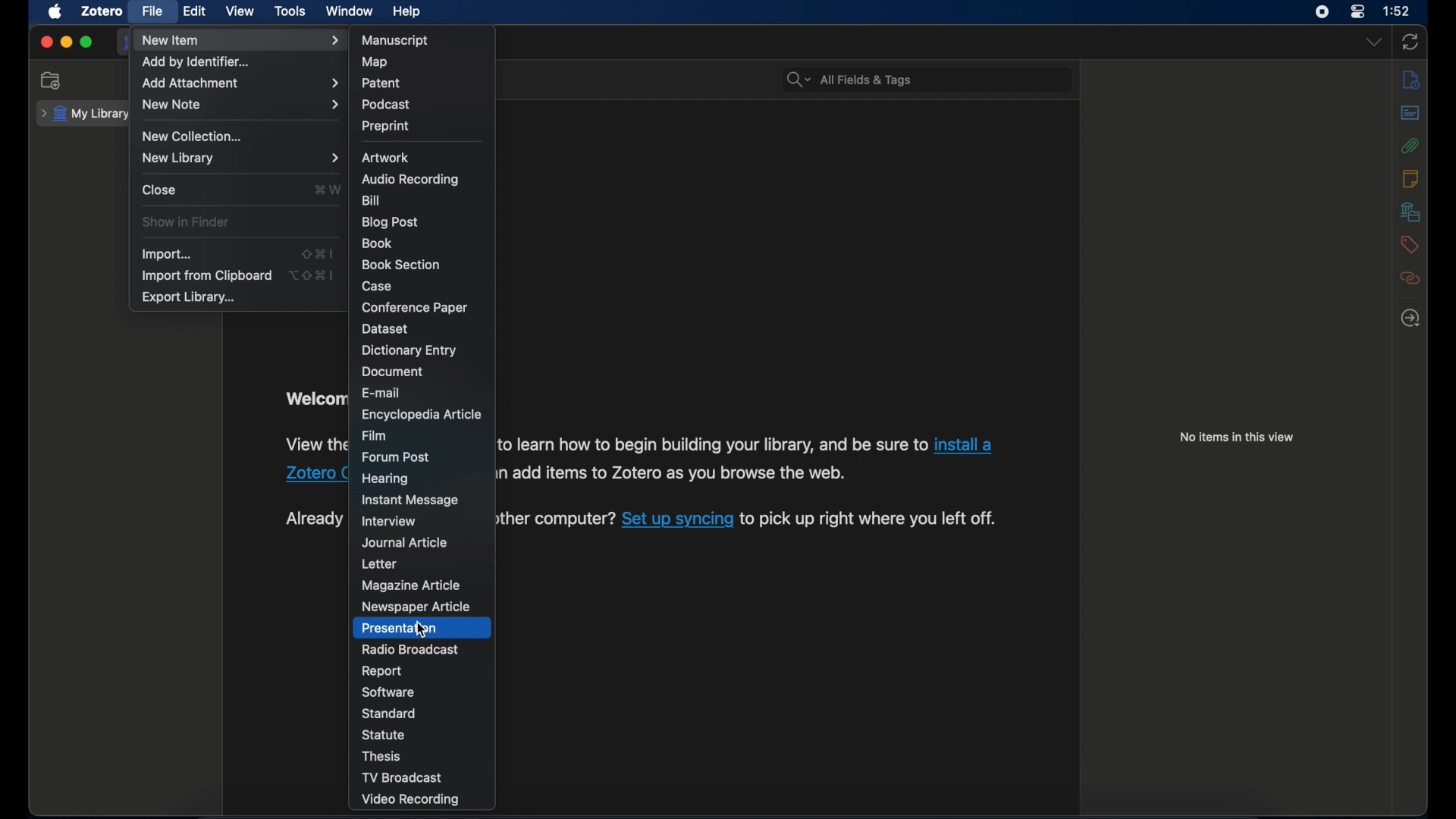 The width and height of the screenshot is (1456, 819). Describe the element at coordinates (83, 115) in the screenshot. I see `my library` at that location.